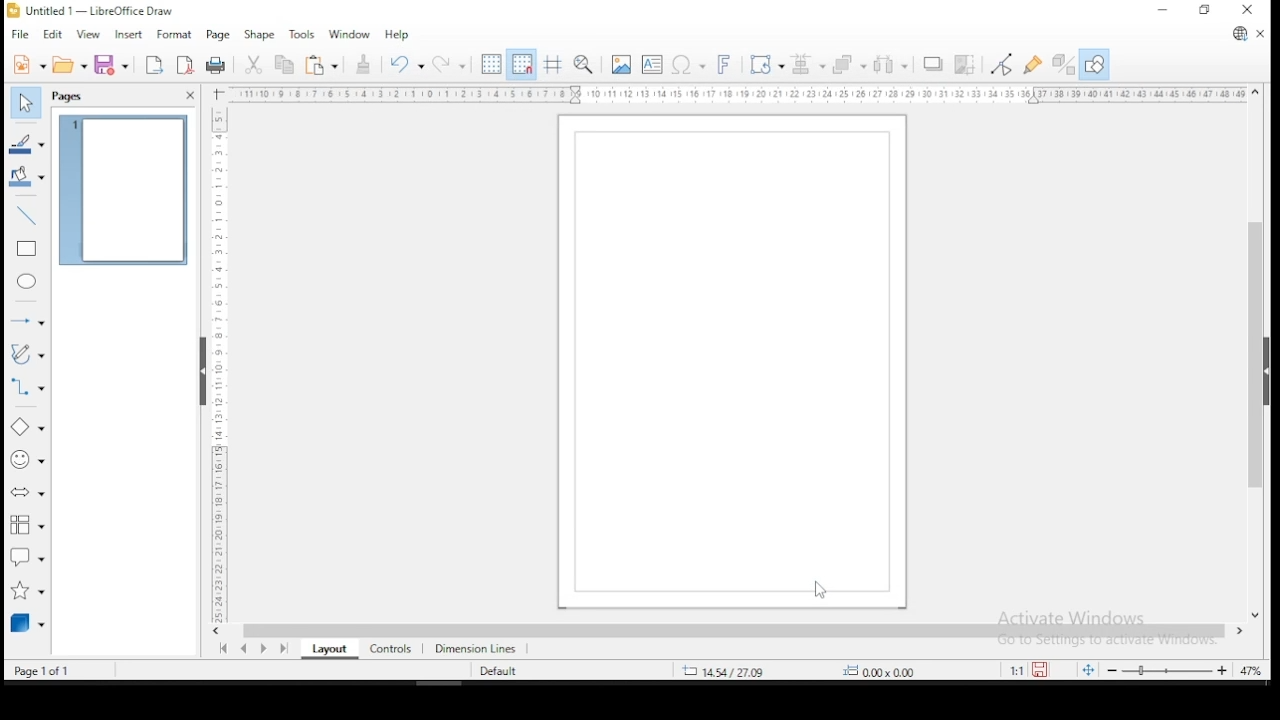 The image size is (1280, 720). Describe the element at coordinates (1252, 669) in the screenshot. I see `zoom factor` at that location.